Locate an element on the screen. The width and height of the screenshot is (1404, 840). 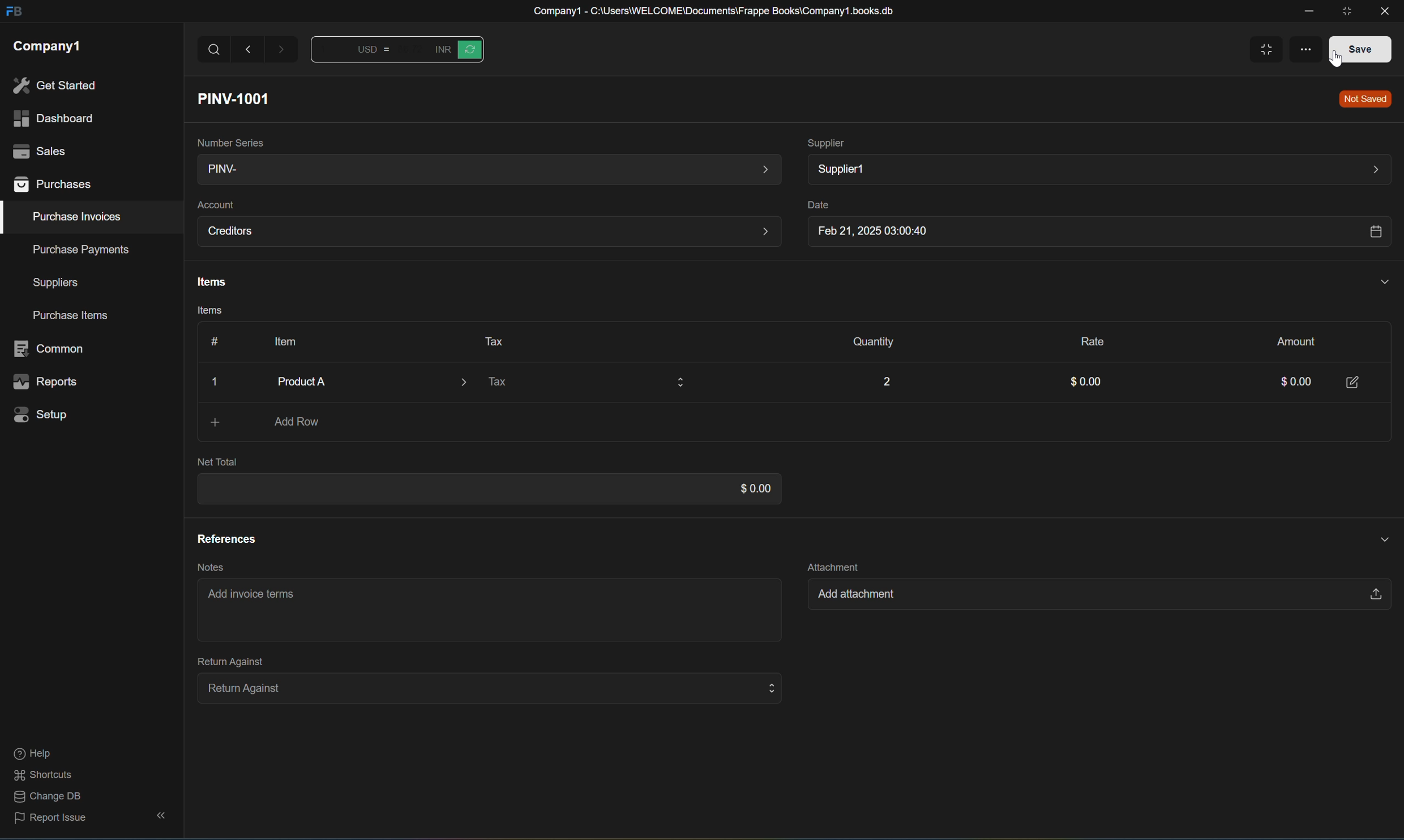
common is located at coordinates (52, 349).